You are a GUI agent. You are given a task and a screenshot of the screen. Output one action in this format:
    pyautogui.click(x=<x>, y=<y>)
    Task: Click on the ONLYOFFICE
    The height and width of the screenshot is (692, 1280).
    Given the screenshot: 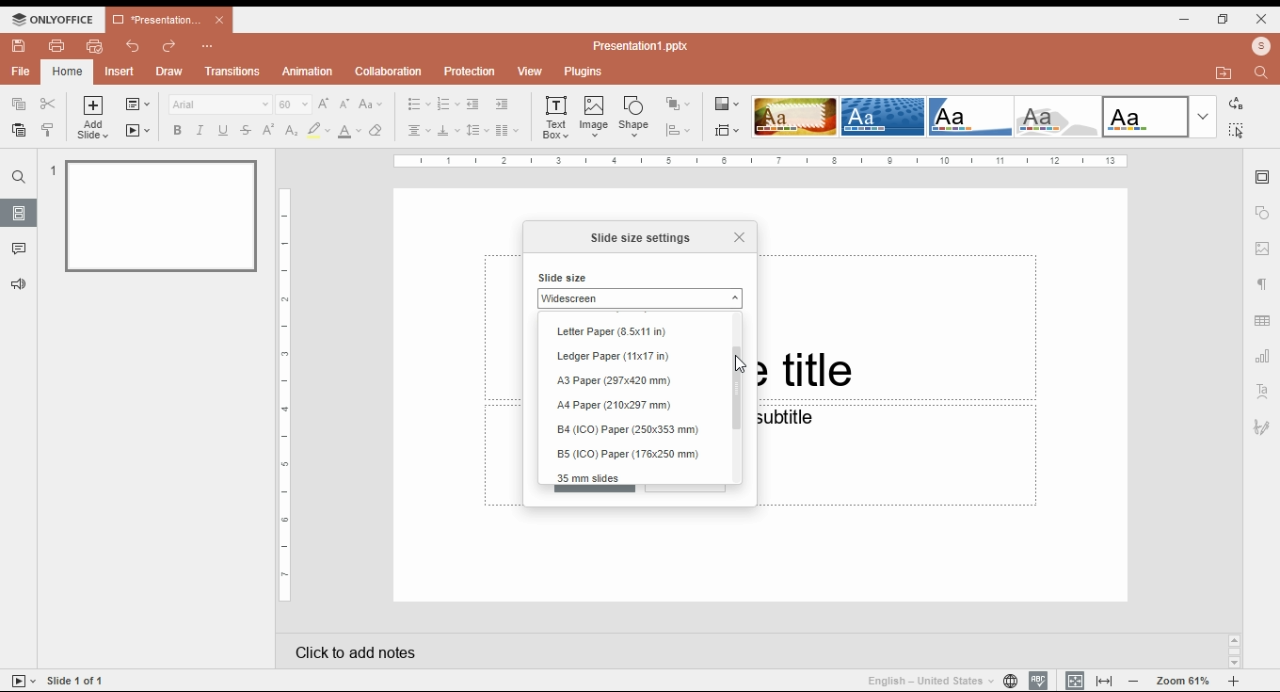 What is the action you would take?
    pyautogui.click(x=53, y=19)
    